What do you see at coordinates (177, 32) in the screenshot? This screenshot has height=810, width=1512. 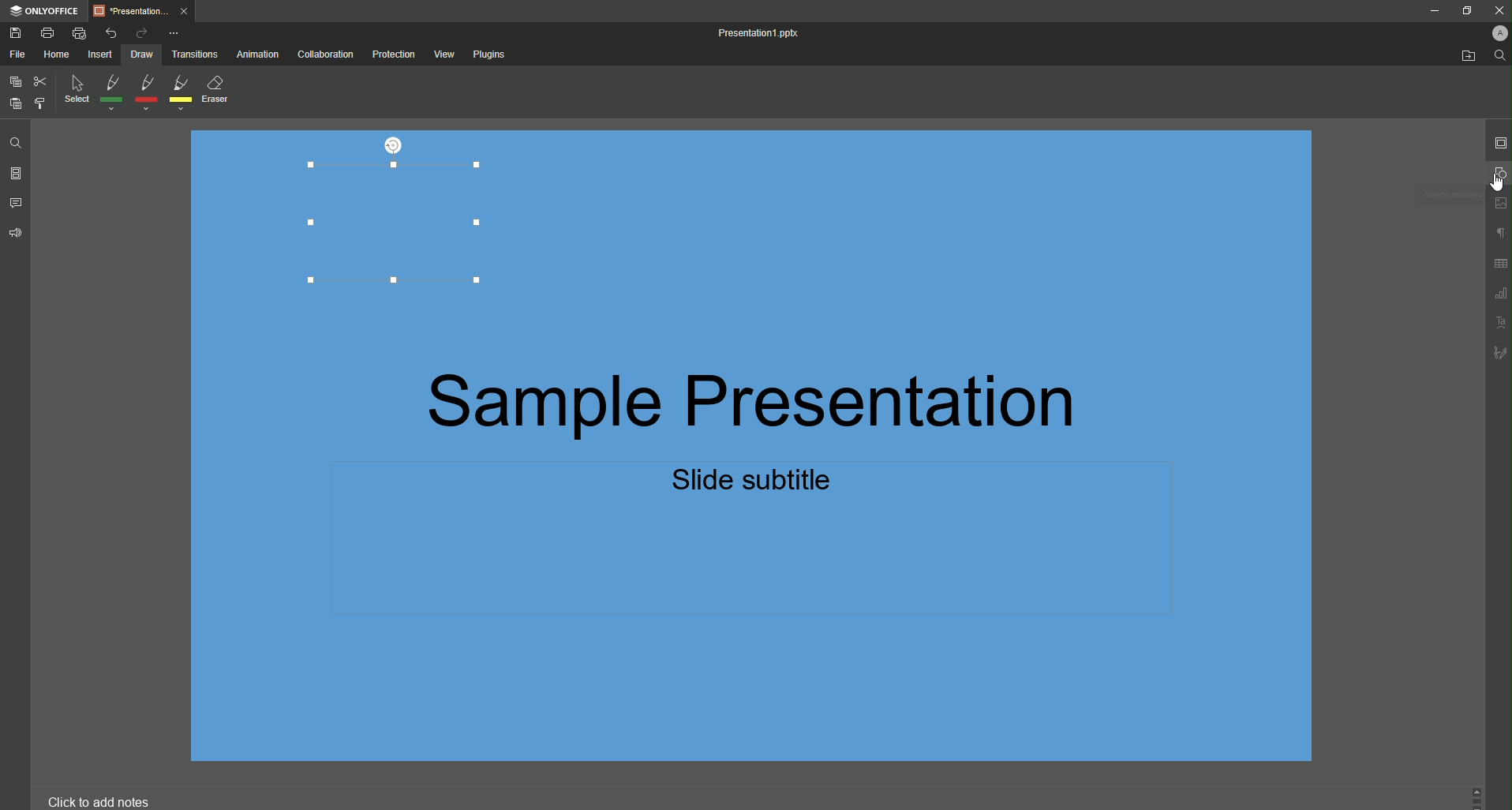 I see `More Options` at bounding box center [177, 32].